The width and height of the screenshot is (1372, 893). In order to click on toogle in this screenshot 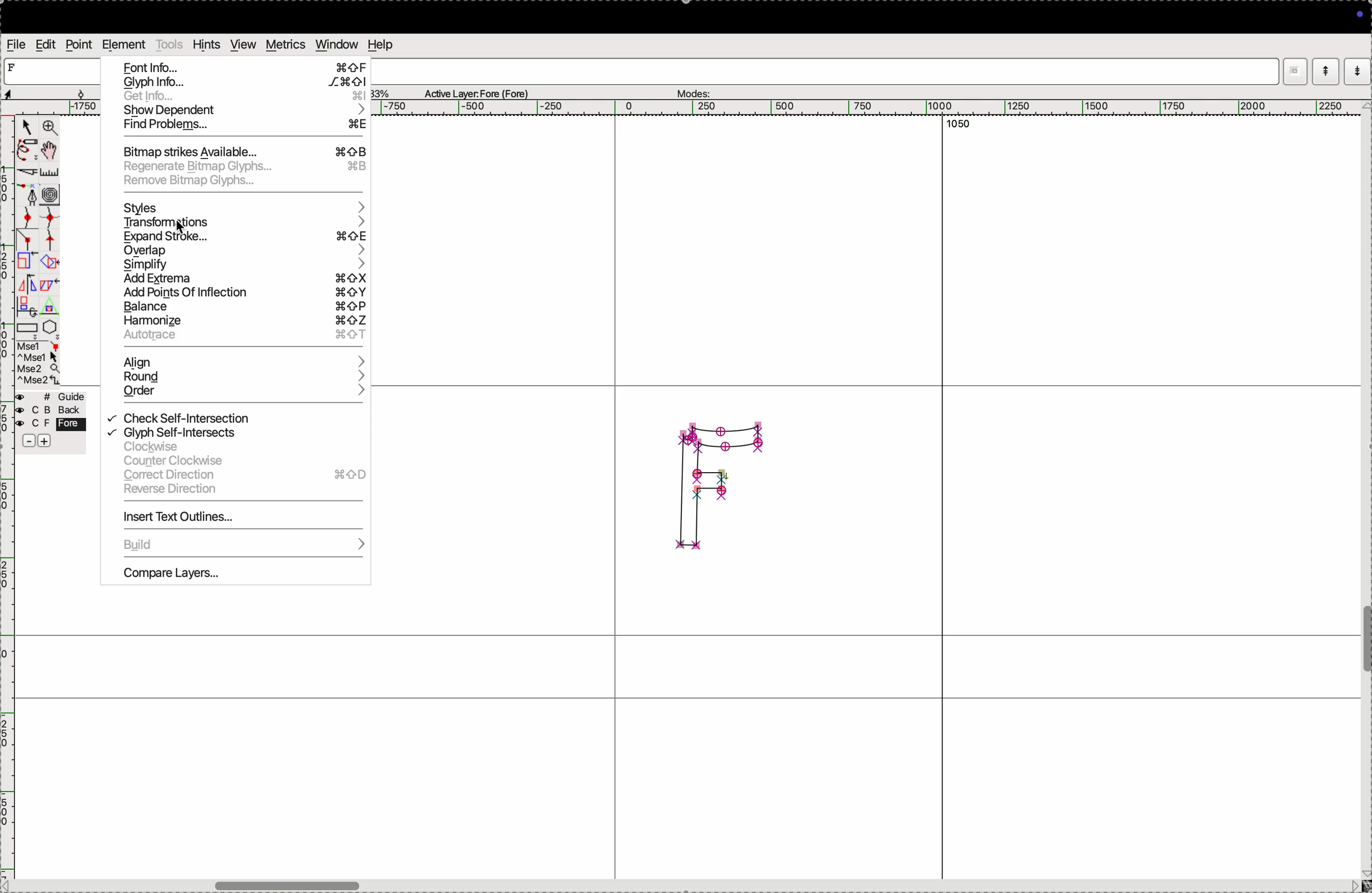, I will do `click(1366, 643)`.